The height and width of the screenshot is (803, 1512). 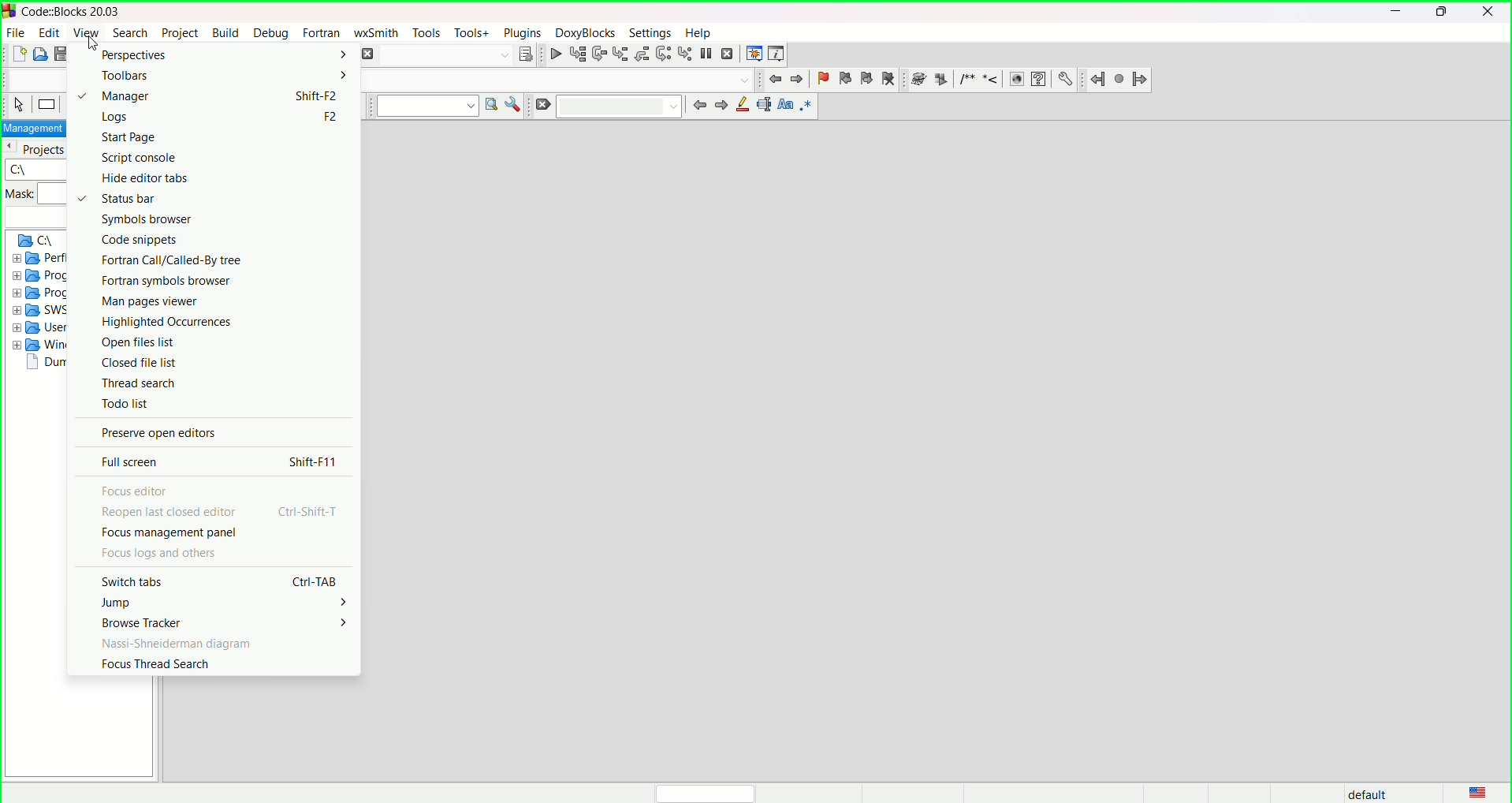 What do you see at coordinates (650, 31) in the screenshot?
I see `settings` at bounding box center [650, 31].